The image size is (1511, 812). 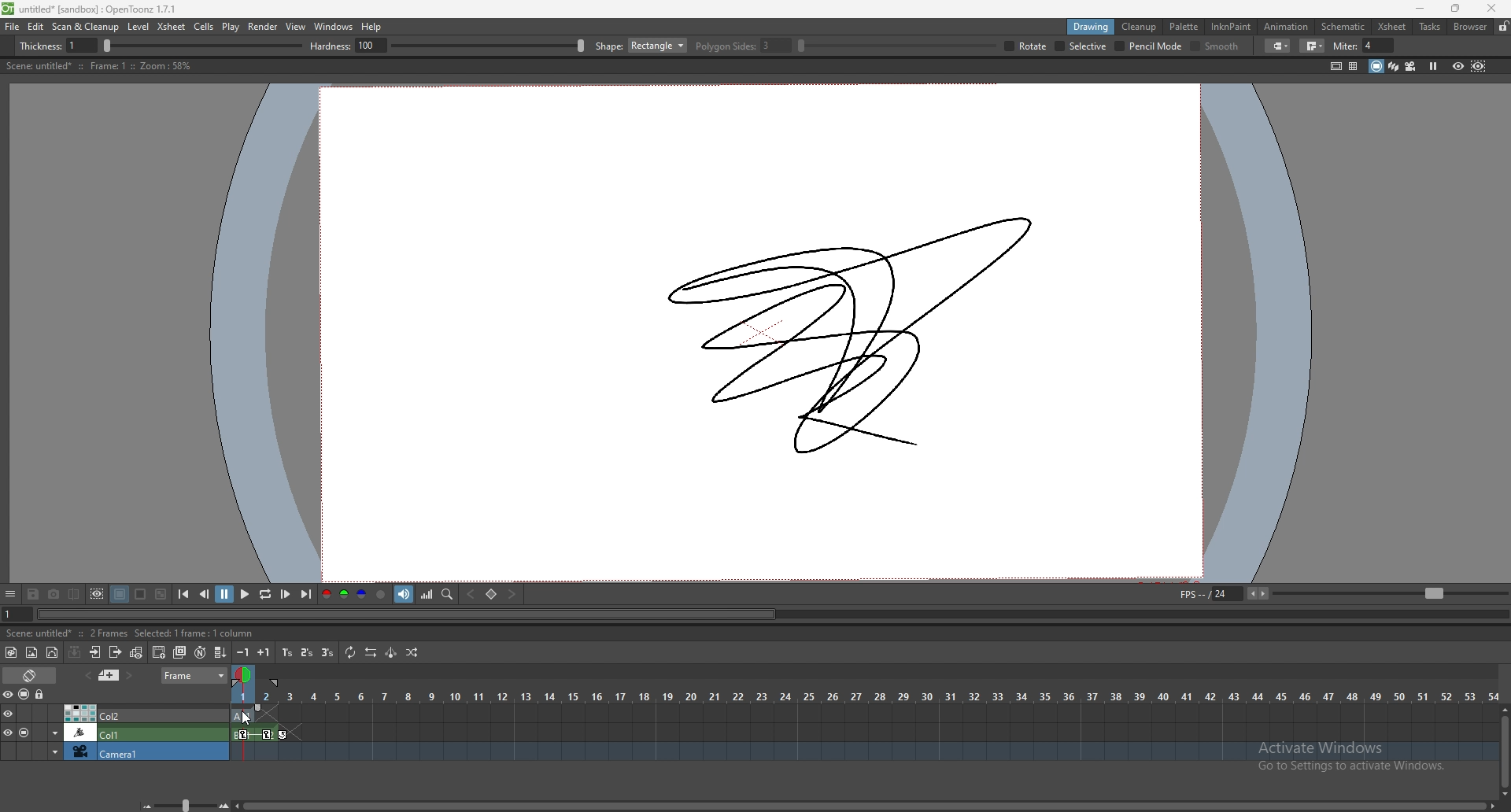 What do you see at coordinates (512, 593) in the screenshot?
I see `next key` at bounding box center [512, 593].